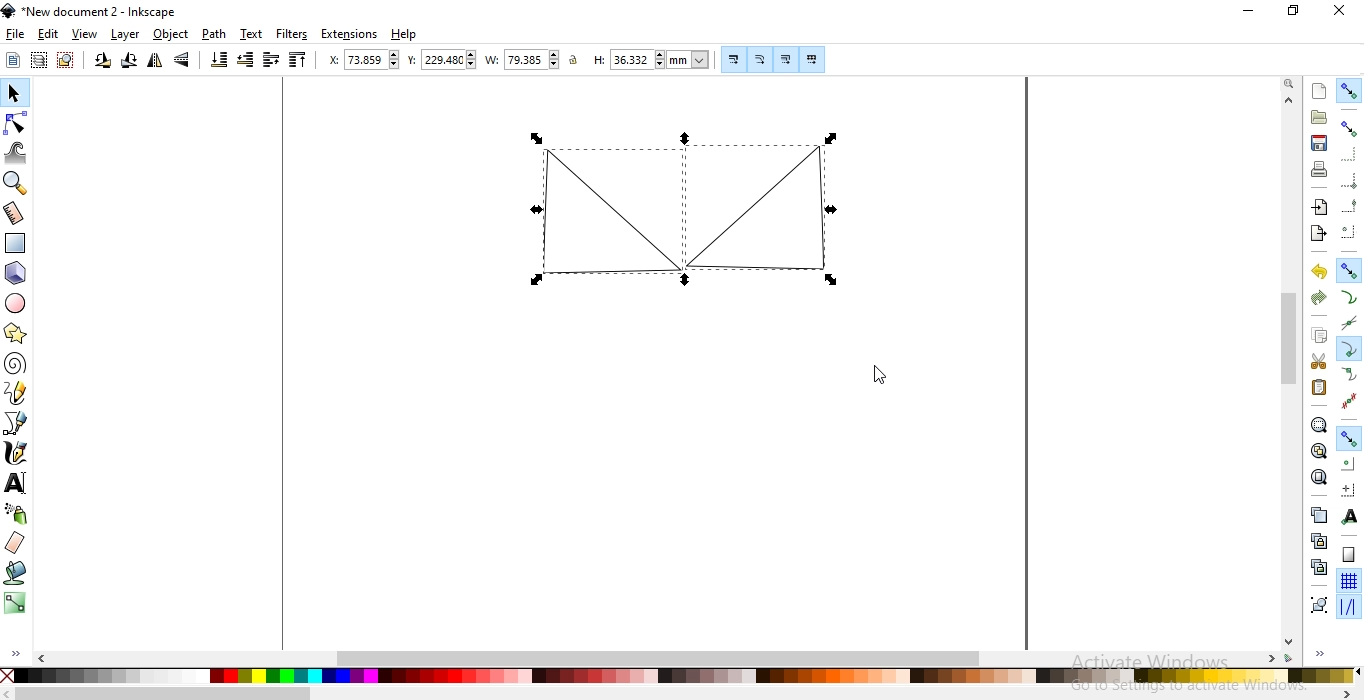  What do you see at coordinates (16, 333) in the screenshot?
I see `create stars and polygons` at bounding box center [16, 333].